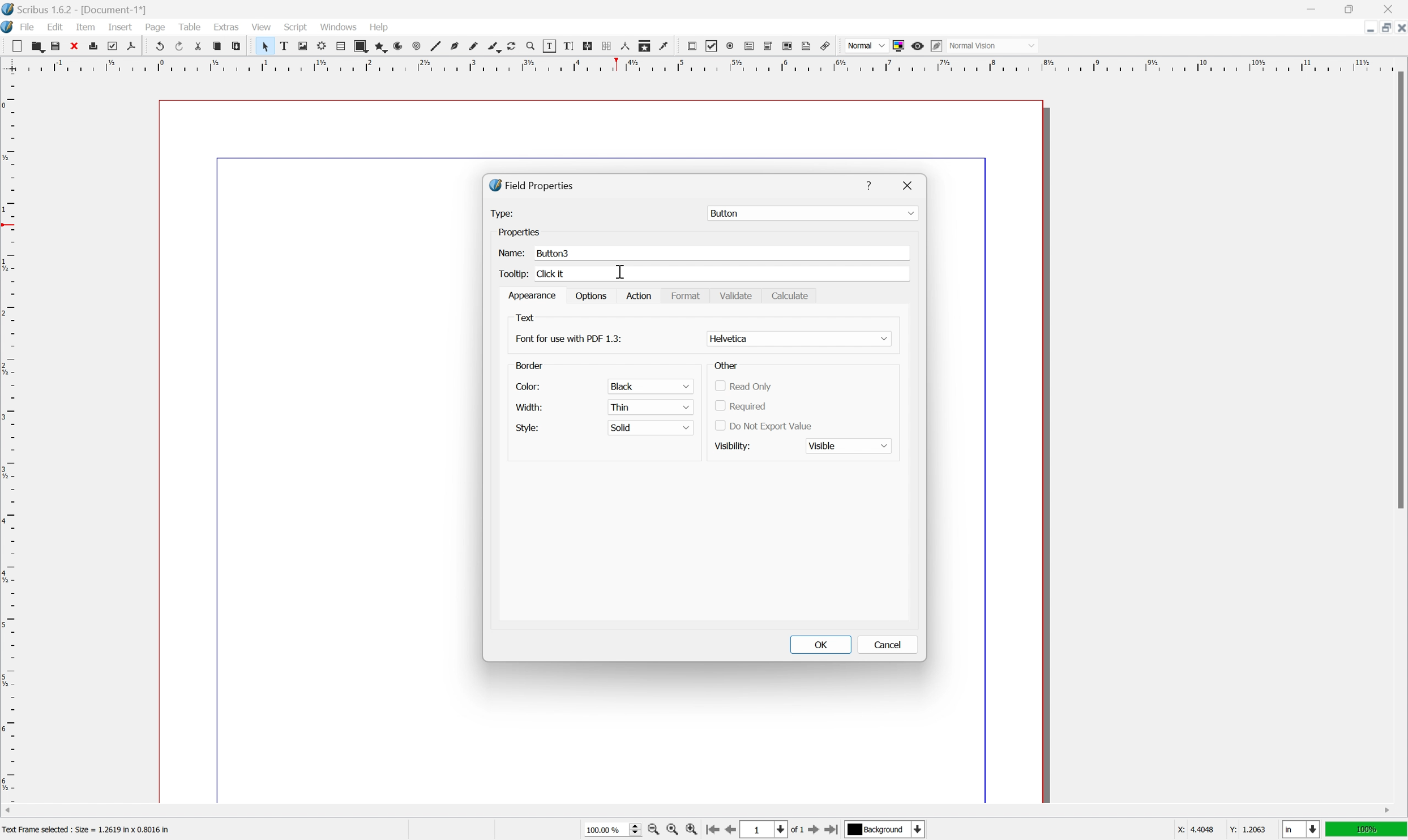 This screenshot has width=1408, height=840. What do you see at coordinates (891, 644) in the screenshot?
I see `Cancel` at bounding box center [891, 644].